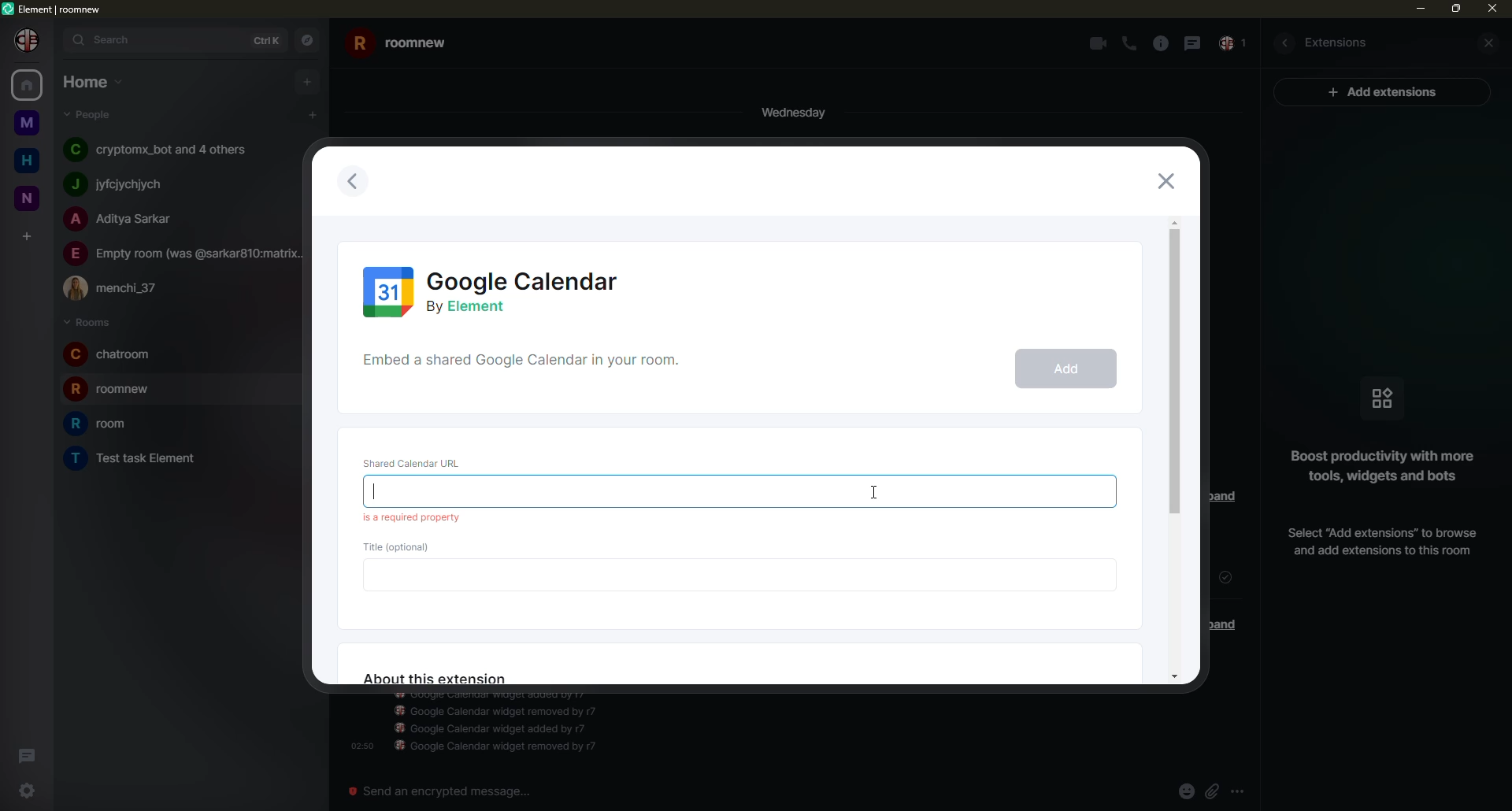 This screenshot has width=1512, height=811. What do you see at coordinates (1064, 369) in the screenshot?
I see `add` at bounding box center [1064, 369].